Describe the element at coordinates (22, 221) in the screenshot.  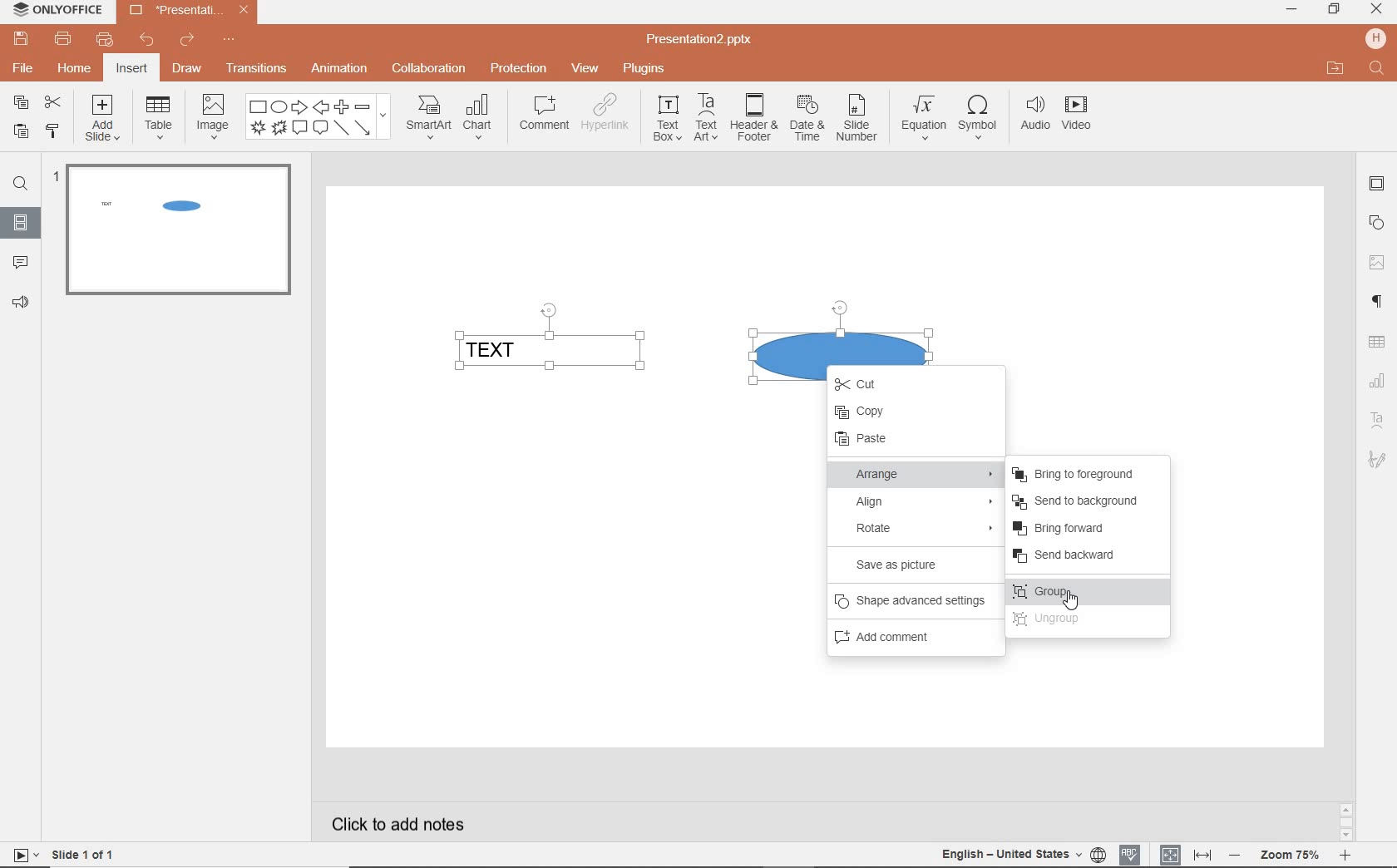
I see `SLIDES` at that location.